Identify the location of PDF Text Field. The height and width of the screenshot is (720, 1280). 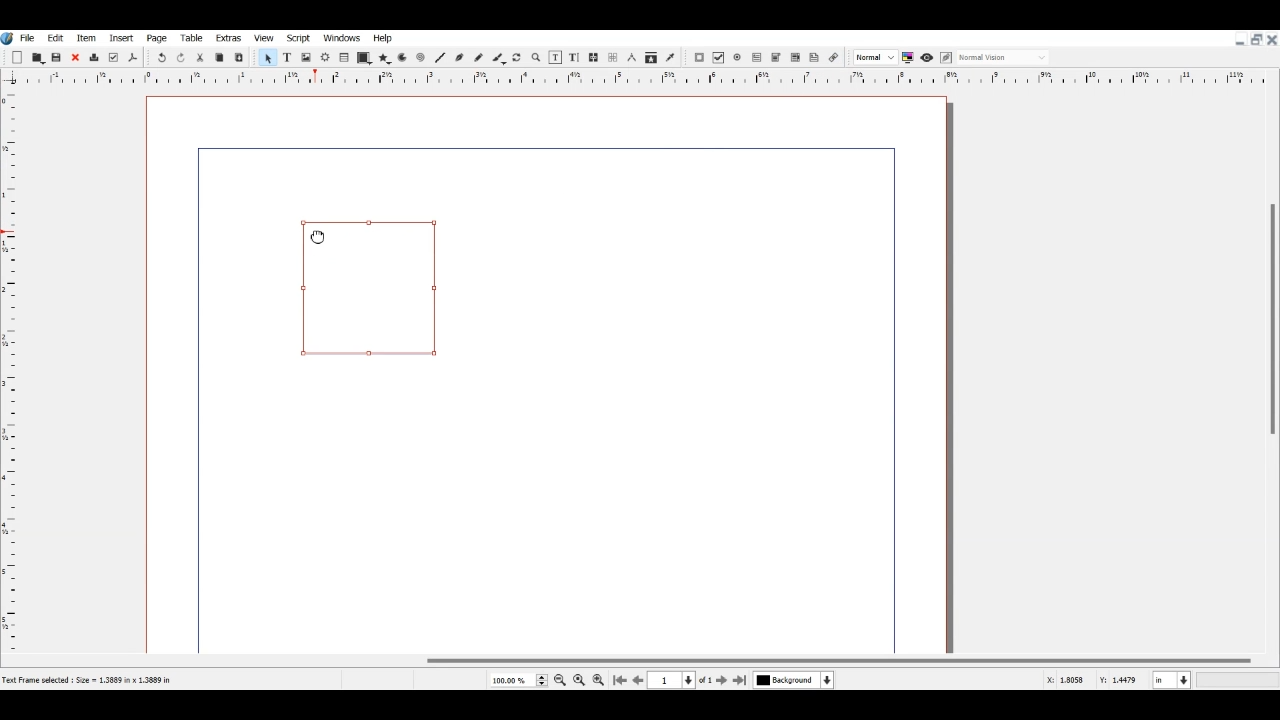
(757, 58).